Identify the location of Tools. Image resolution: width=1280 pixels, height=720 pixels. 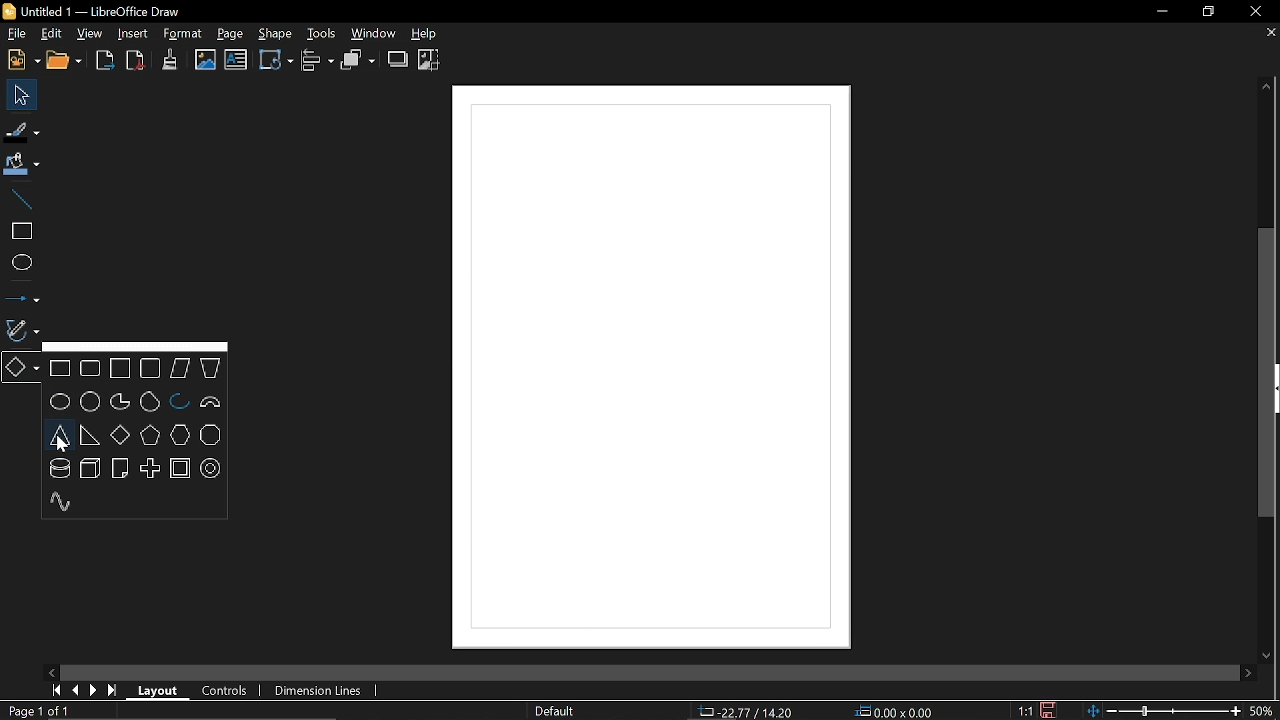
(319, 32).